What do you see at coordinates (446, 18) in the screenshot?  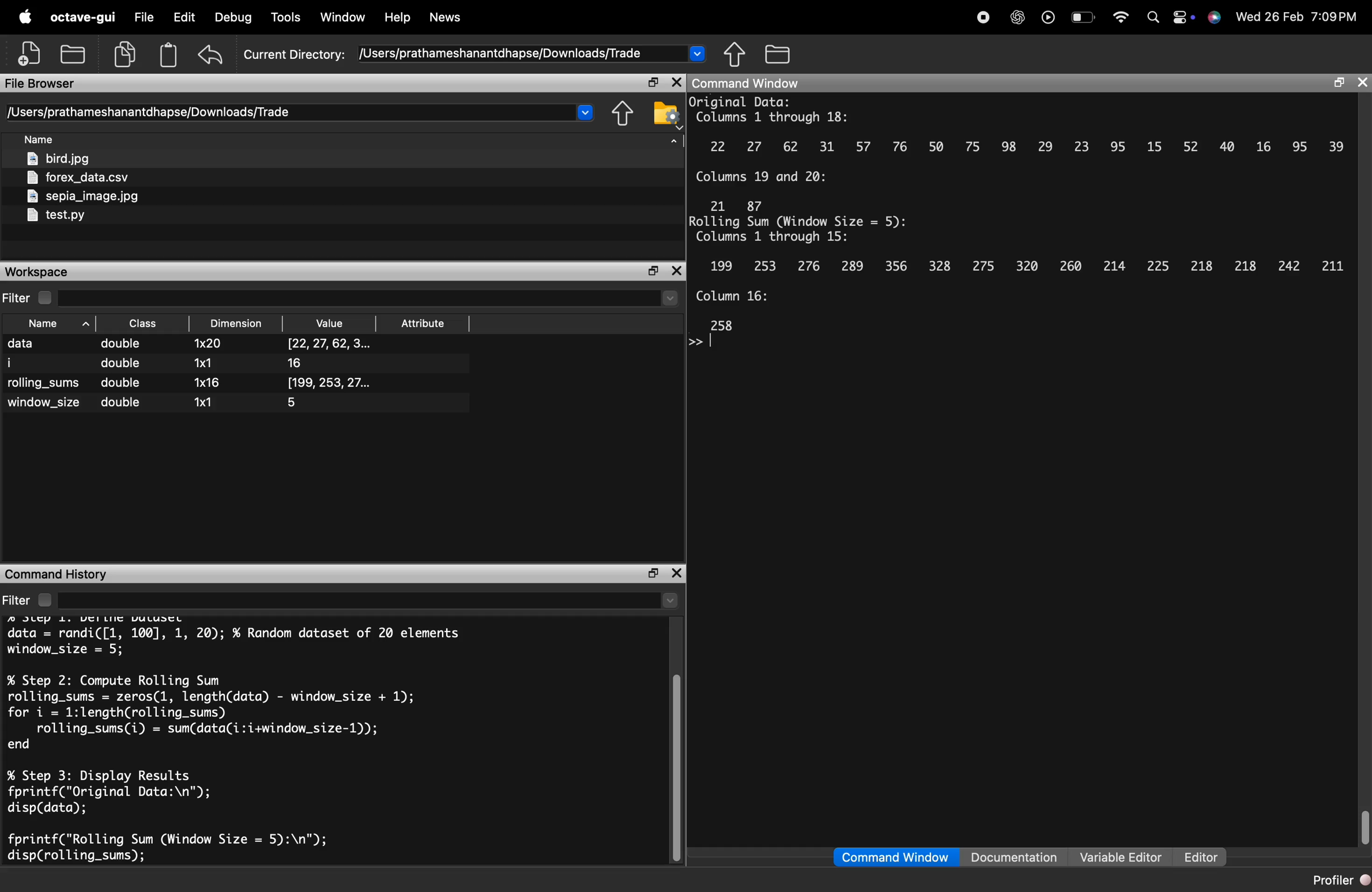 I see `news` at bounding box center [446, 18].